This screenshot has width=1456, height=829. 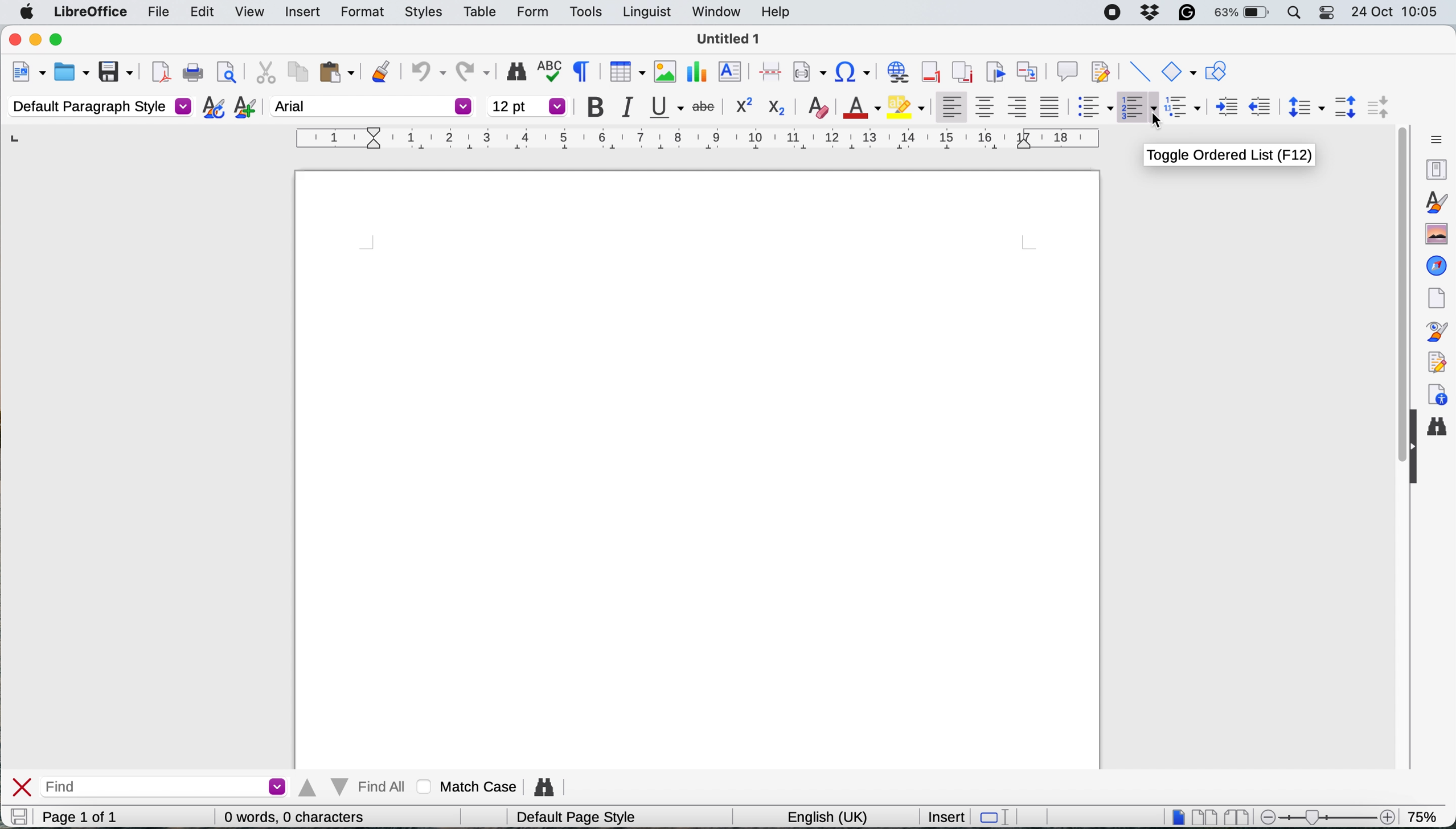 What do you see at coordinates (994, 818) in the screenshot?
I see `standard selection` at bounding box center [994, 818].